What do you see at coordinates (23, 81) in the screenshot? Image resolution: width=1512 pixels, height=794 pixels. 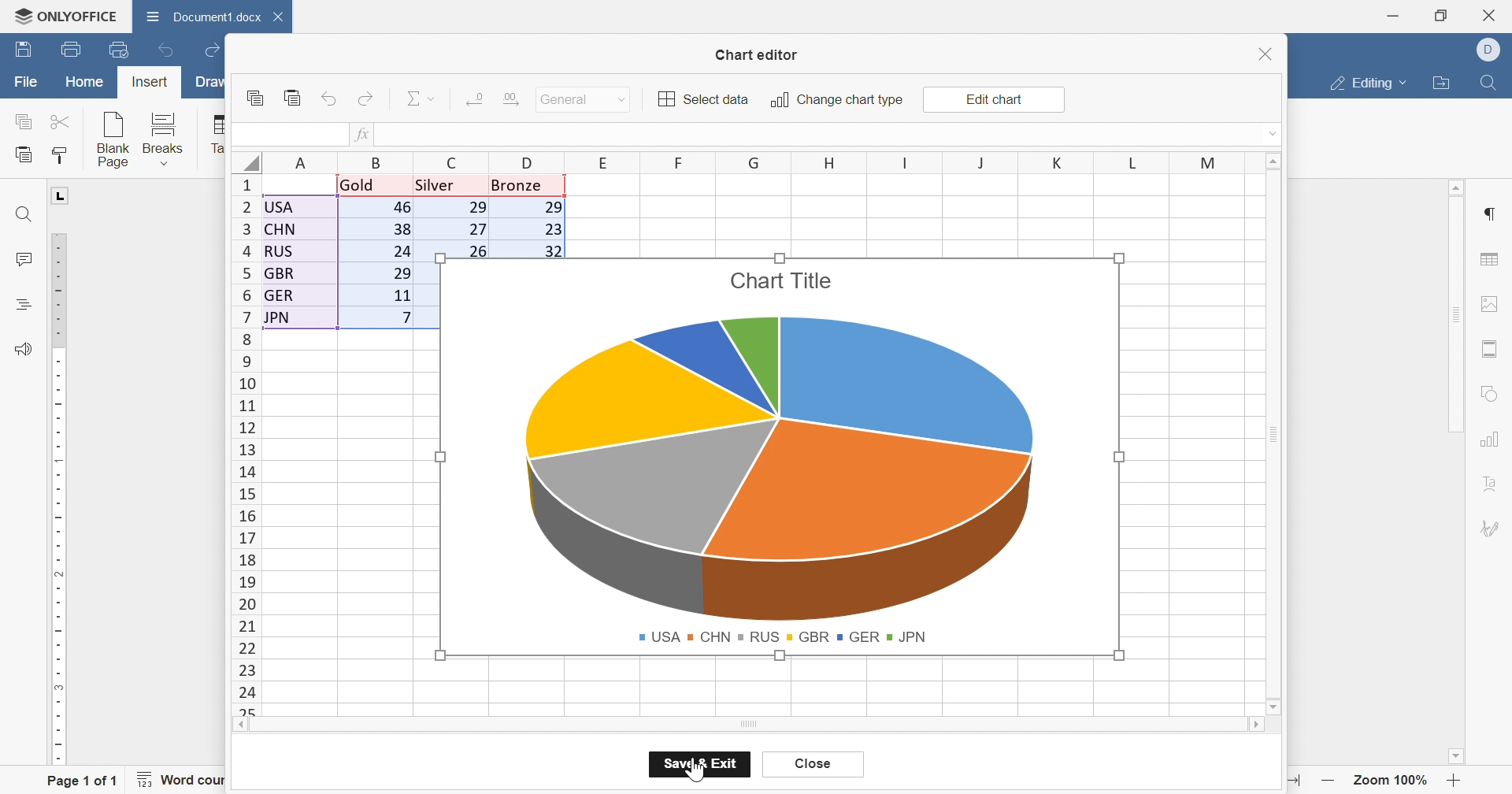 I see `File` at bounding box center [23, 81].